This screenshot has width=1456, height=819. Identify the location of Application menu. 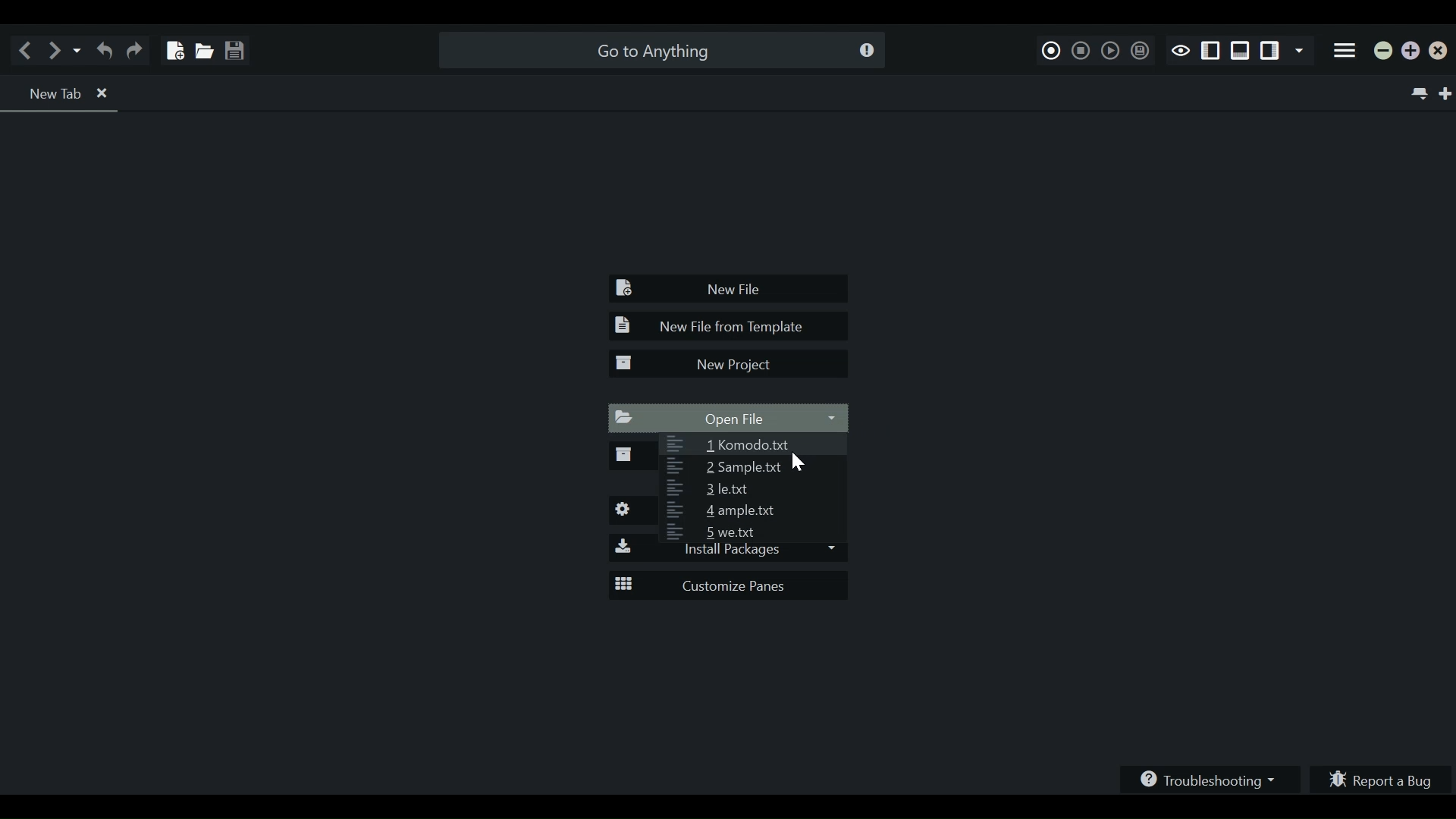
(1345, 52).